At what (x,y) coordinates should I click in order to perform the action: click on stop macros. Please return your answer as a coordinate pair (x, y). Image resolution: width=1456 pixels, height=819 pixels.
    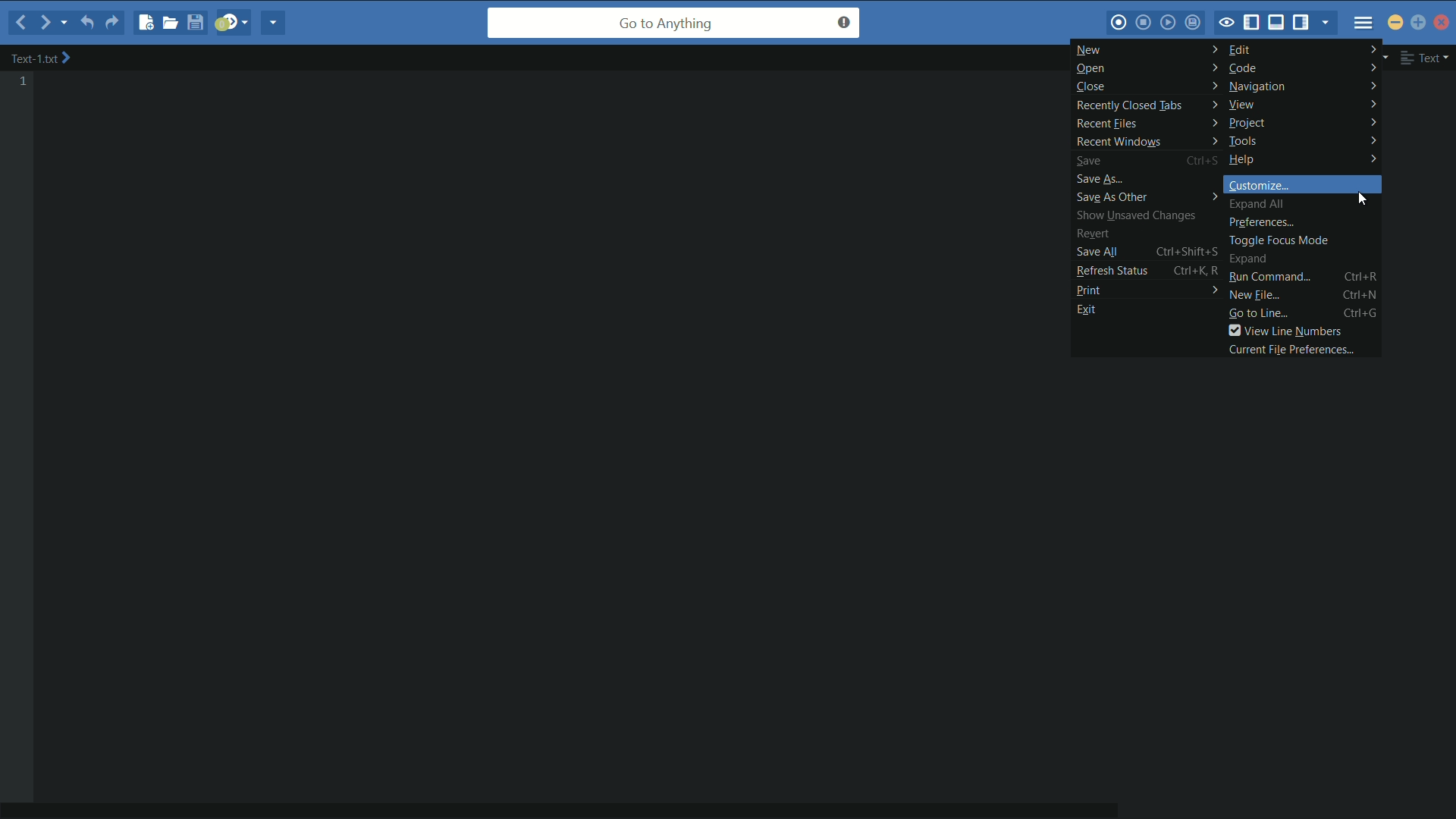
    Looking at the image, I should click on (1144, 24).